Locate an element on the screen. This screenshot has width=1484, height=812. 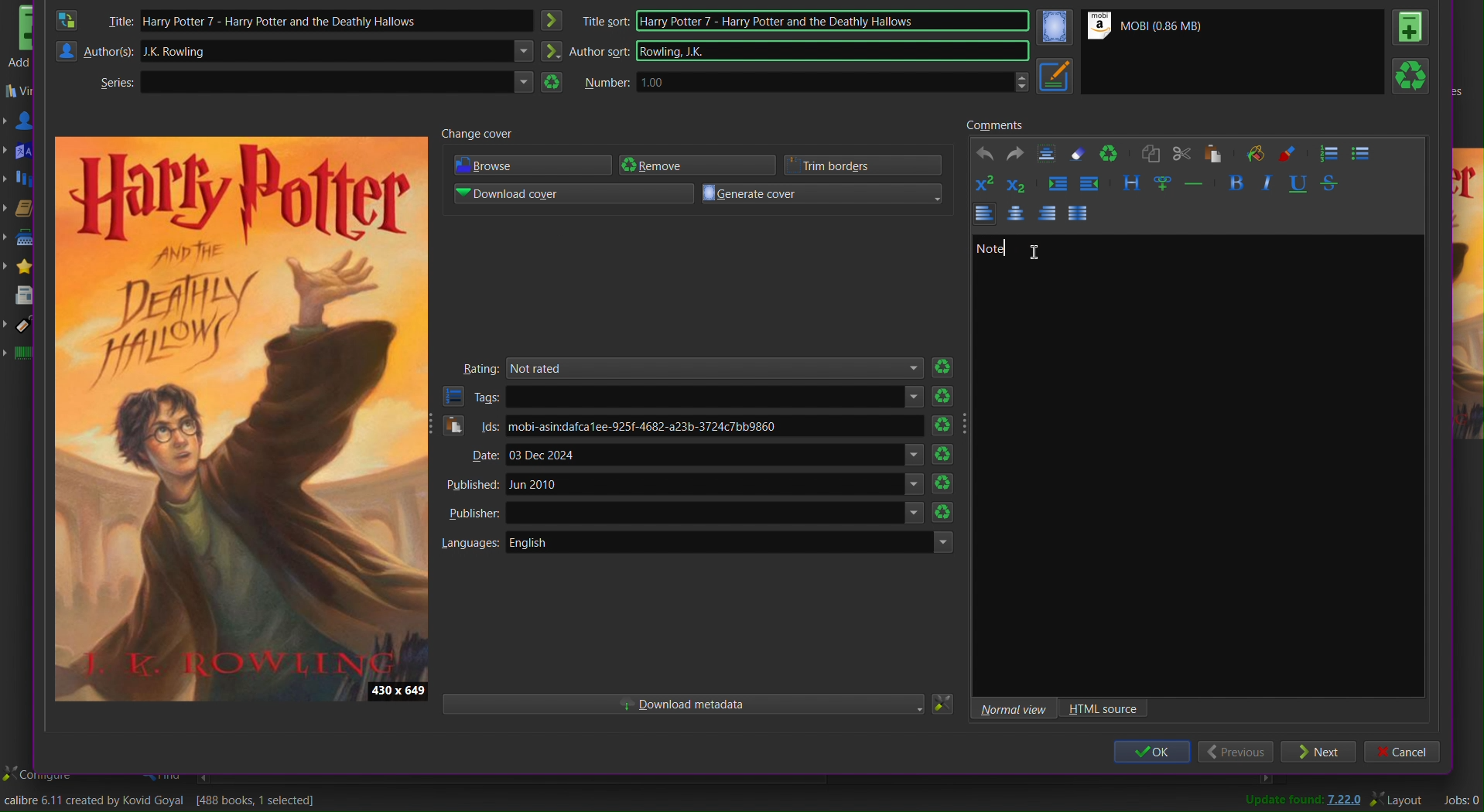
Add books is located at coordinates (20, 38).